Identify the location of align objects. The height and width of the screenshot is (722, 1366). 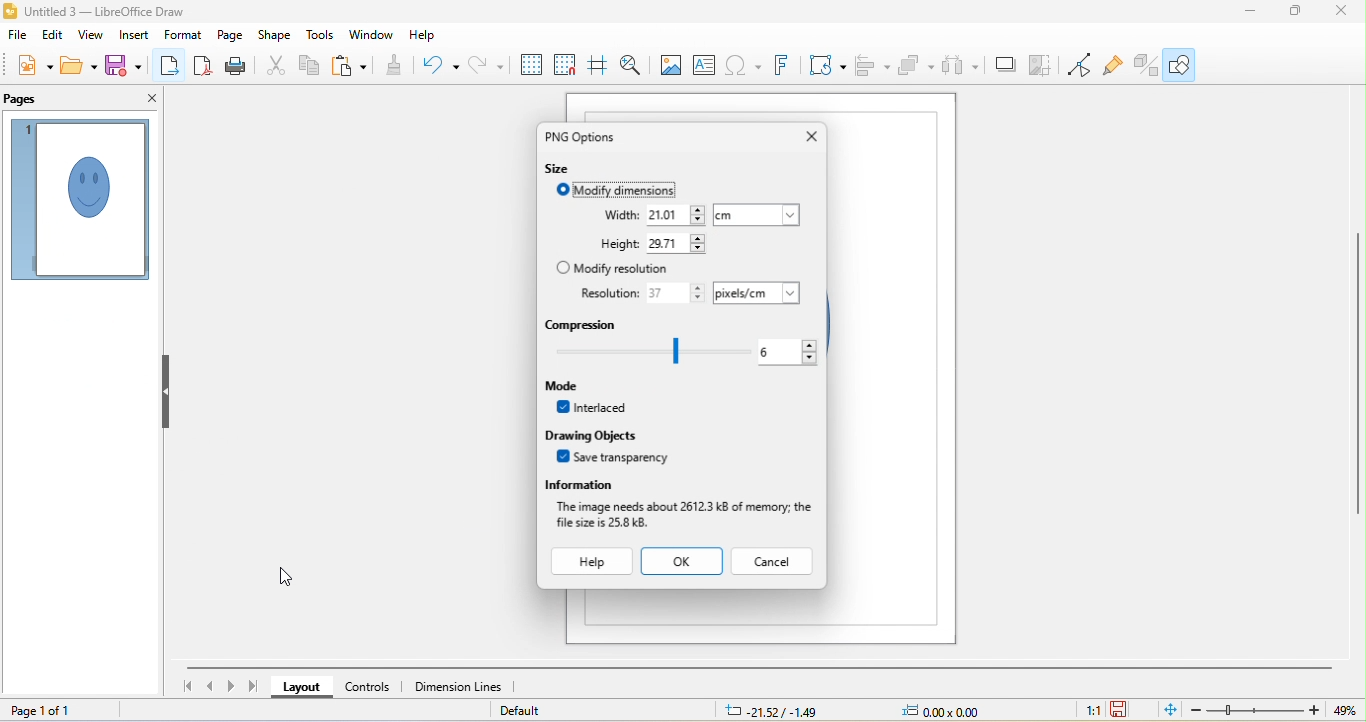
(872, 68).